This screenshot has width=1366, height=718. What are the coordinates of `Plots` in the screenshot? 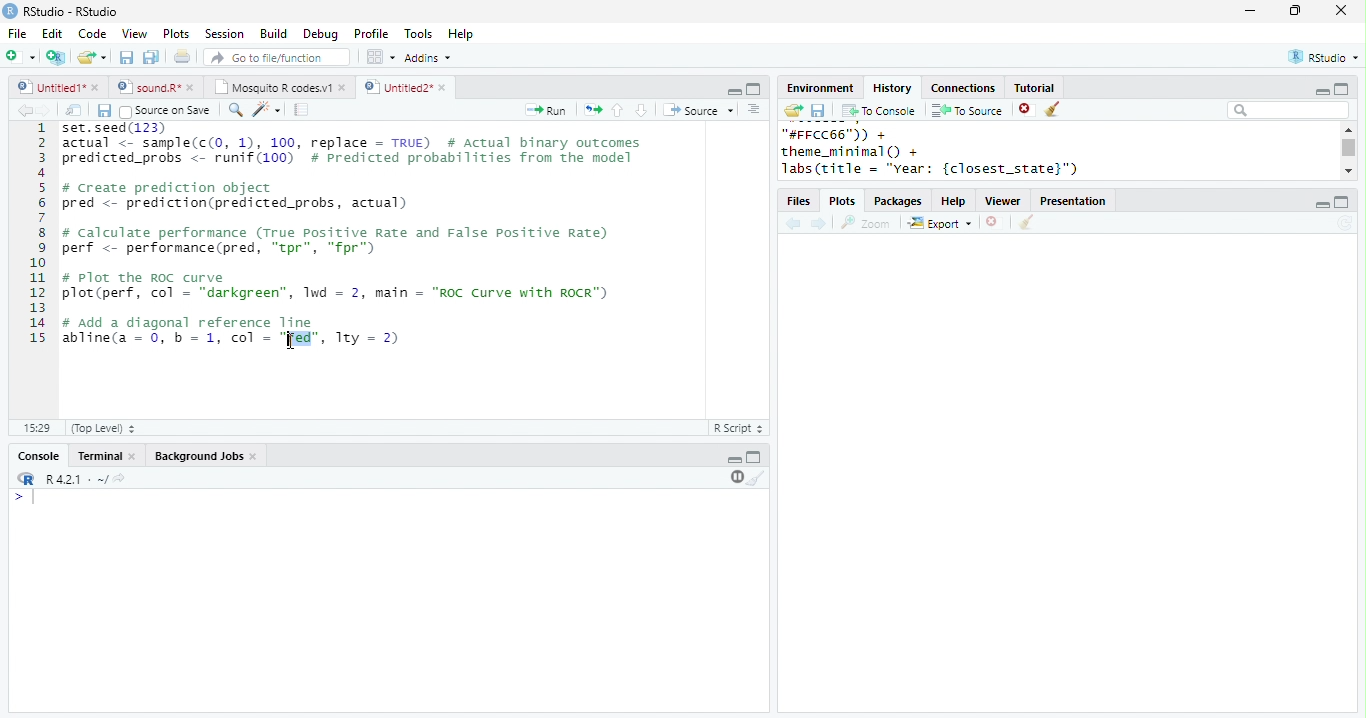 It's located at (177, 33).